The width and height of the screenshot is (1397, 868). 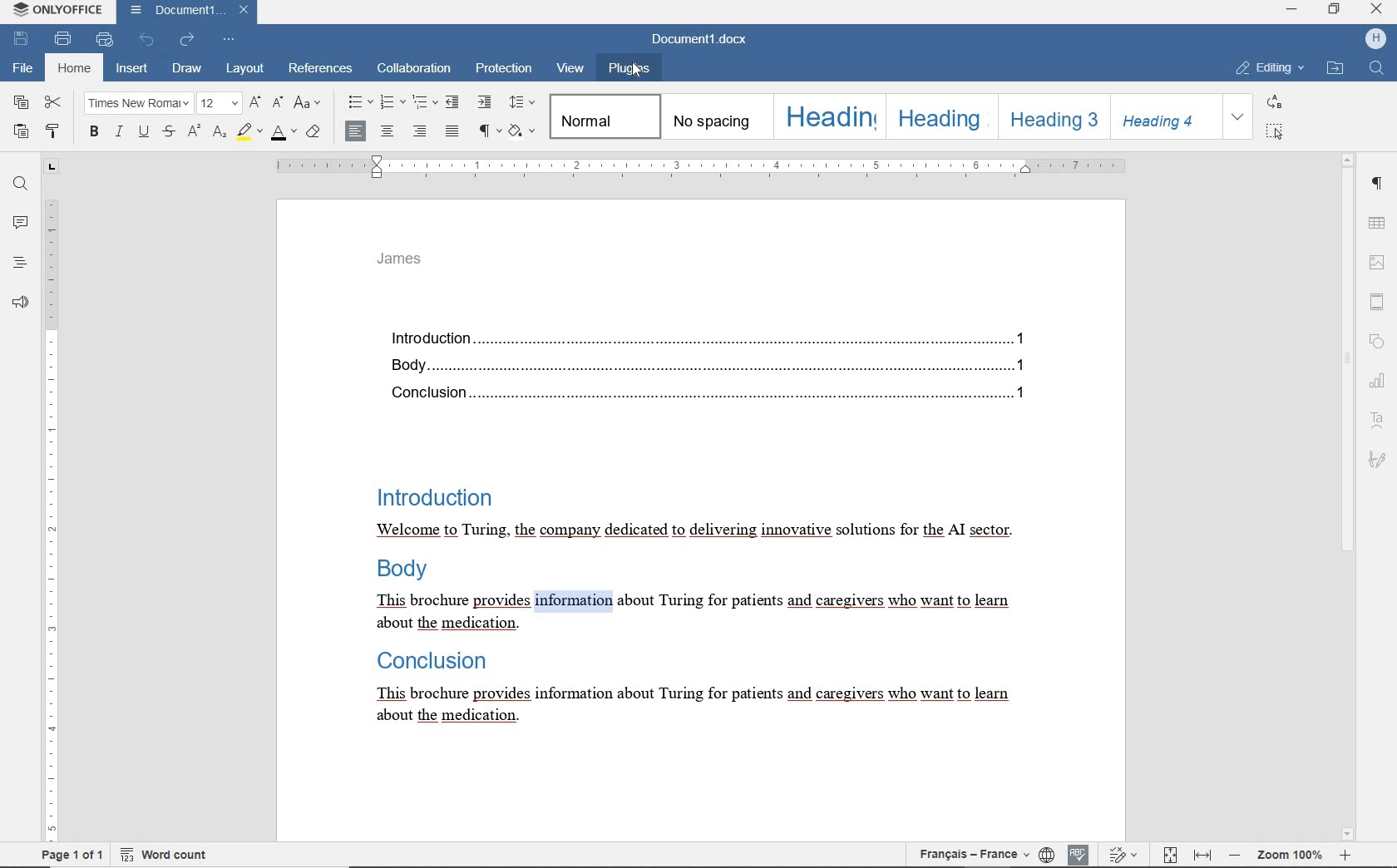 What do you see at coordinates (1236, 855) in the screenshot?
I see `zoom out` at bounding box center [1236, 855].